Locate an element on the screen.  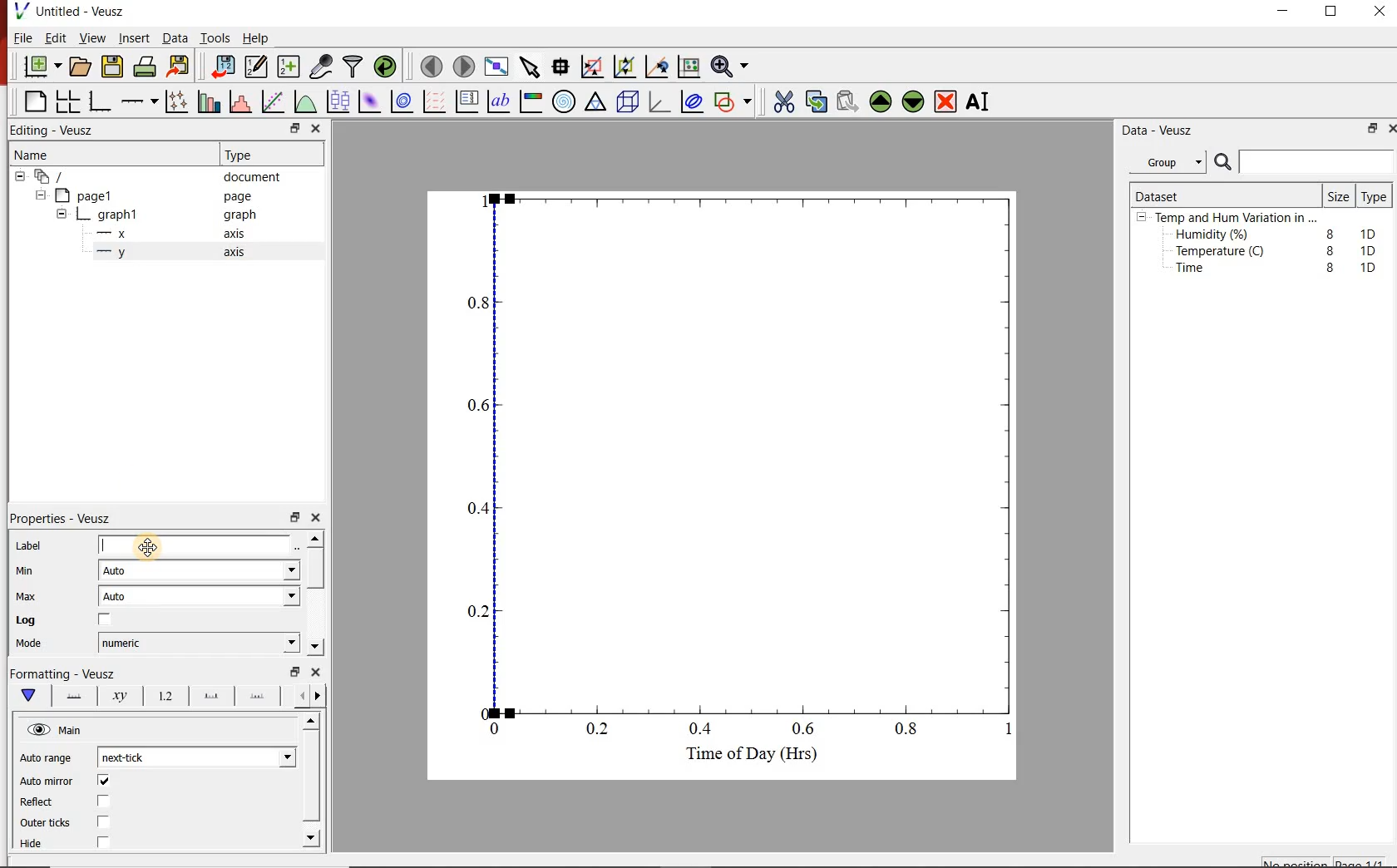
Group. is located at coordinates (1171, 159).